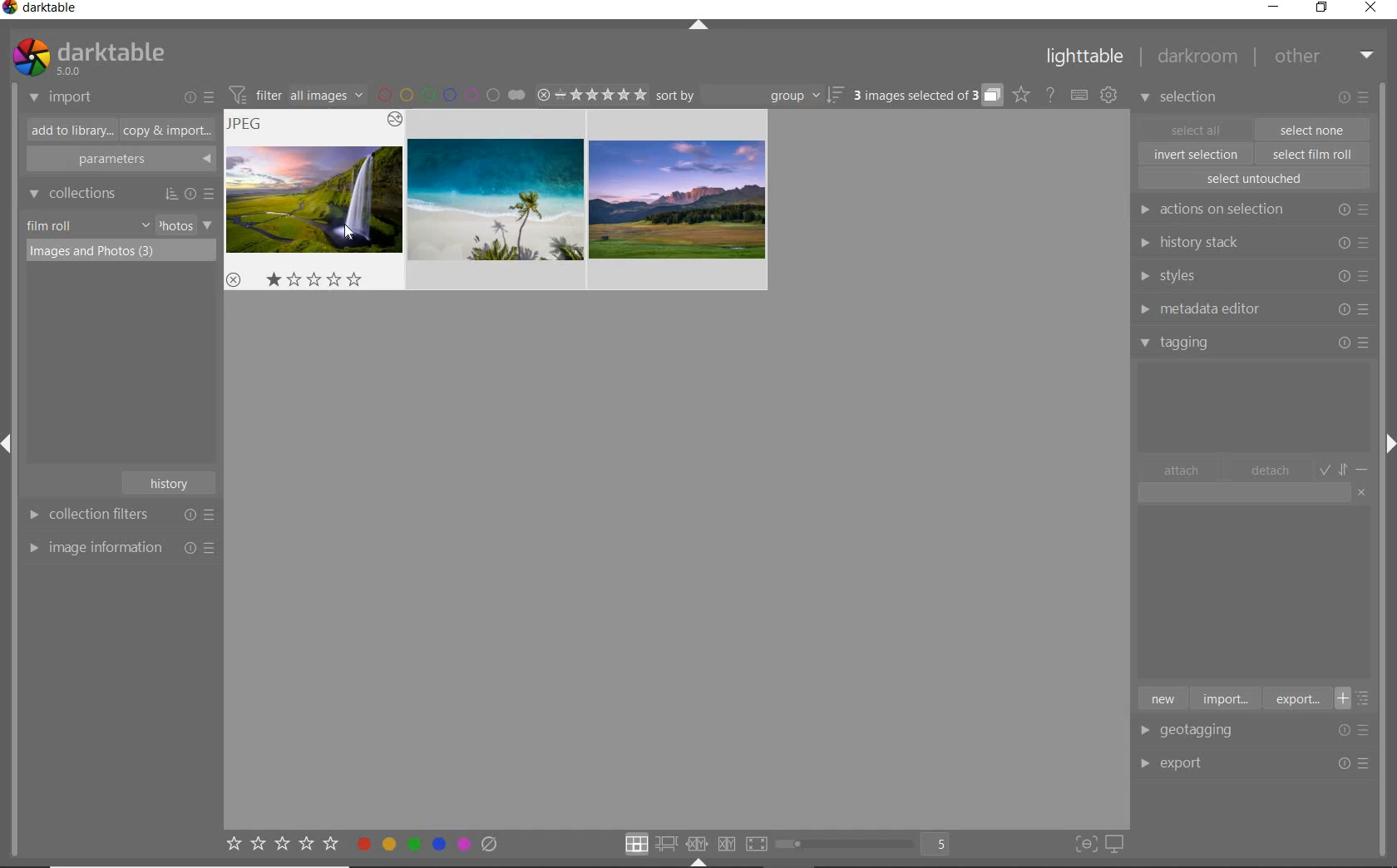  I want to click on range ratings of selected images, so click(591, 92).